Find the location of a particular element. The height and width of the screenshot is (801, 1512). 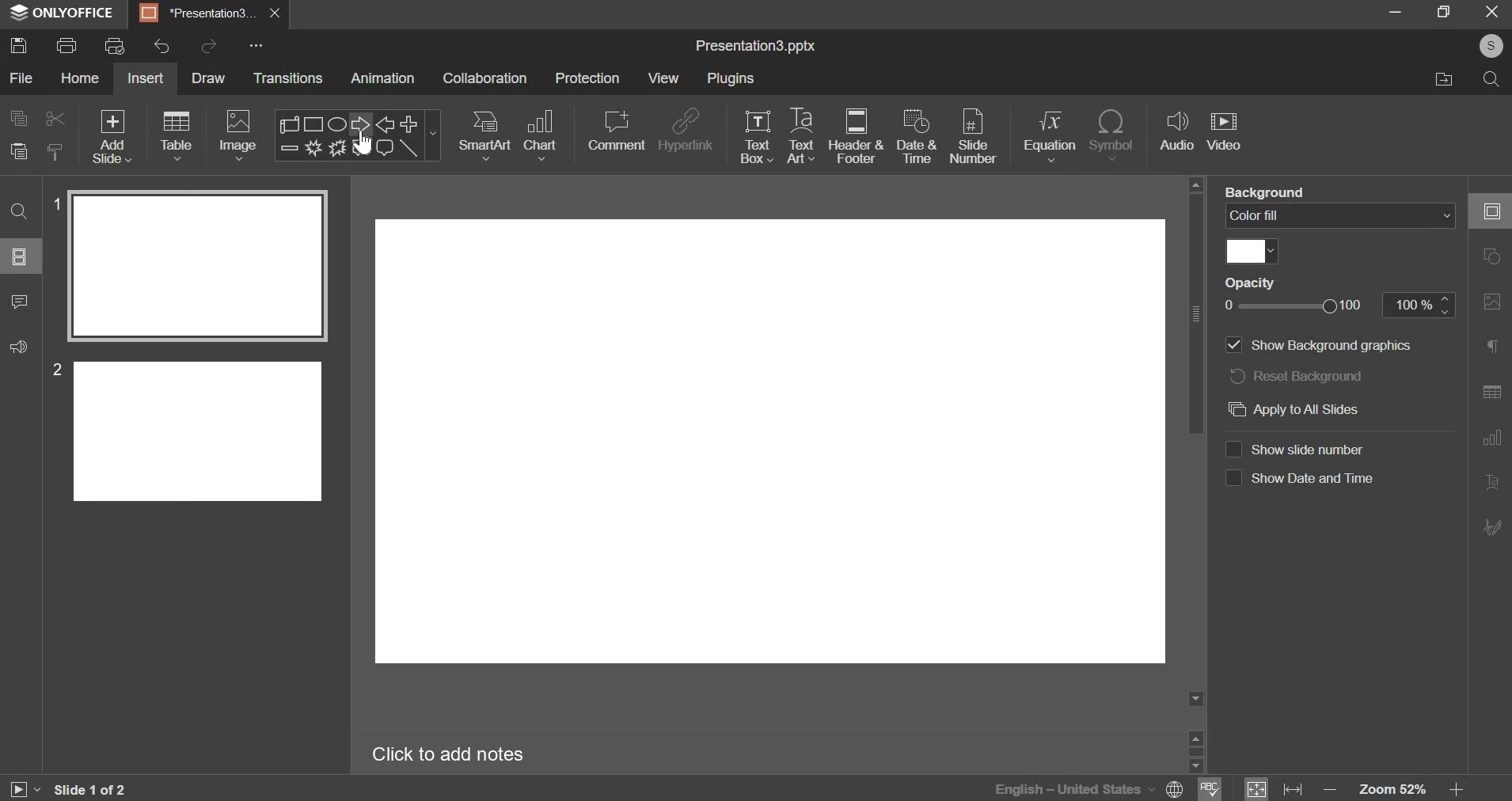

cut is located at coordinates (56, 119).